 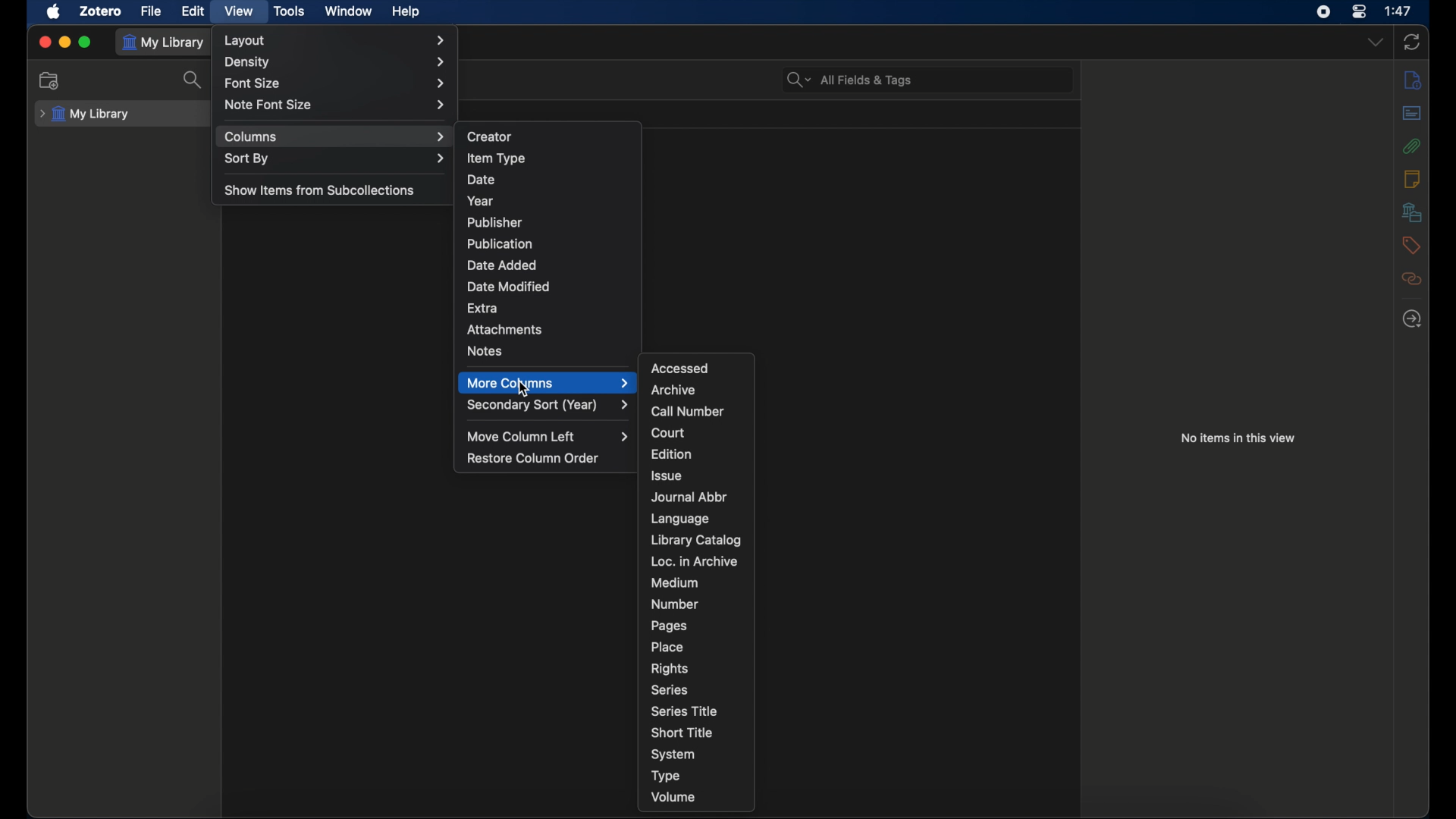 What do you see at coordinates (1414, 80) in the screenshot?
I see `info` at bounding box center [1414, 80].